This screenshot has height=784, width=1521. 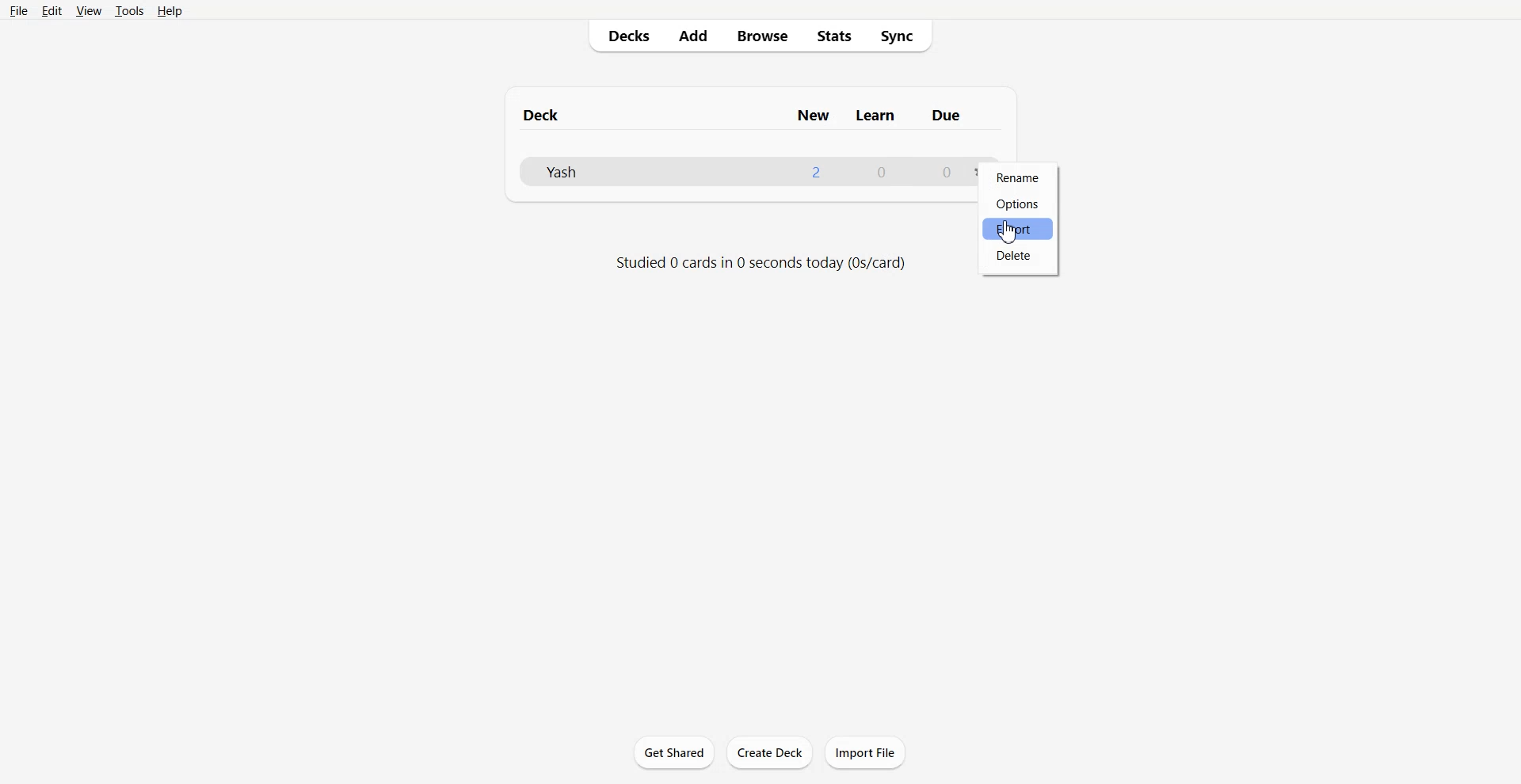 What do you see at coordinates (608, 172) in the screenshot?
I see `Deck File` at bounding box center [608, 172].